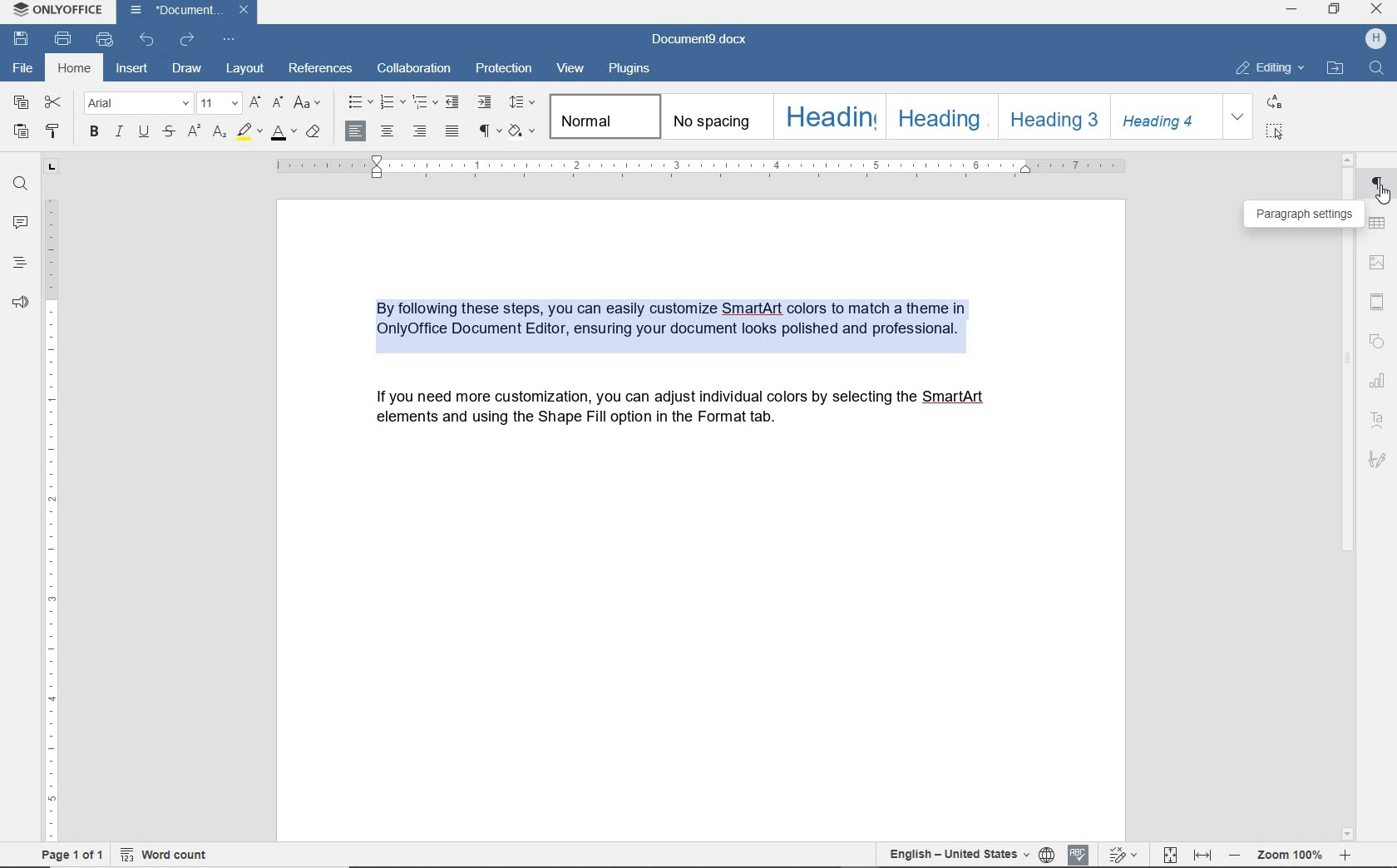 Image resolution: width=1397 pixels, height=868 pixels. What do you see at coordinates (1166, 117) in the screenshot?
I see `Heading 4` at bounding box center [1166, 117].